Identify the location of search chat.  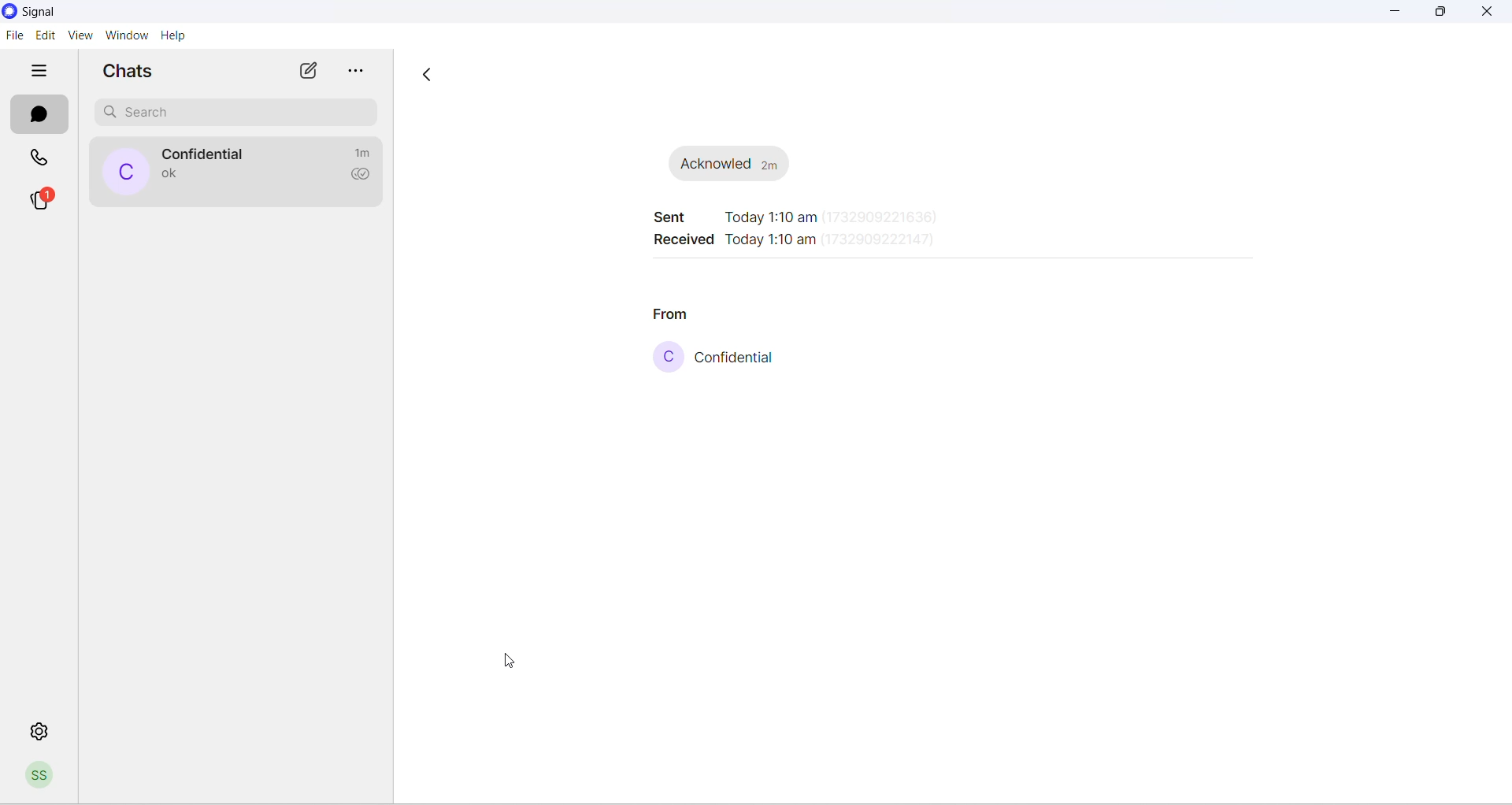
(232, 113).